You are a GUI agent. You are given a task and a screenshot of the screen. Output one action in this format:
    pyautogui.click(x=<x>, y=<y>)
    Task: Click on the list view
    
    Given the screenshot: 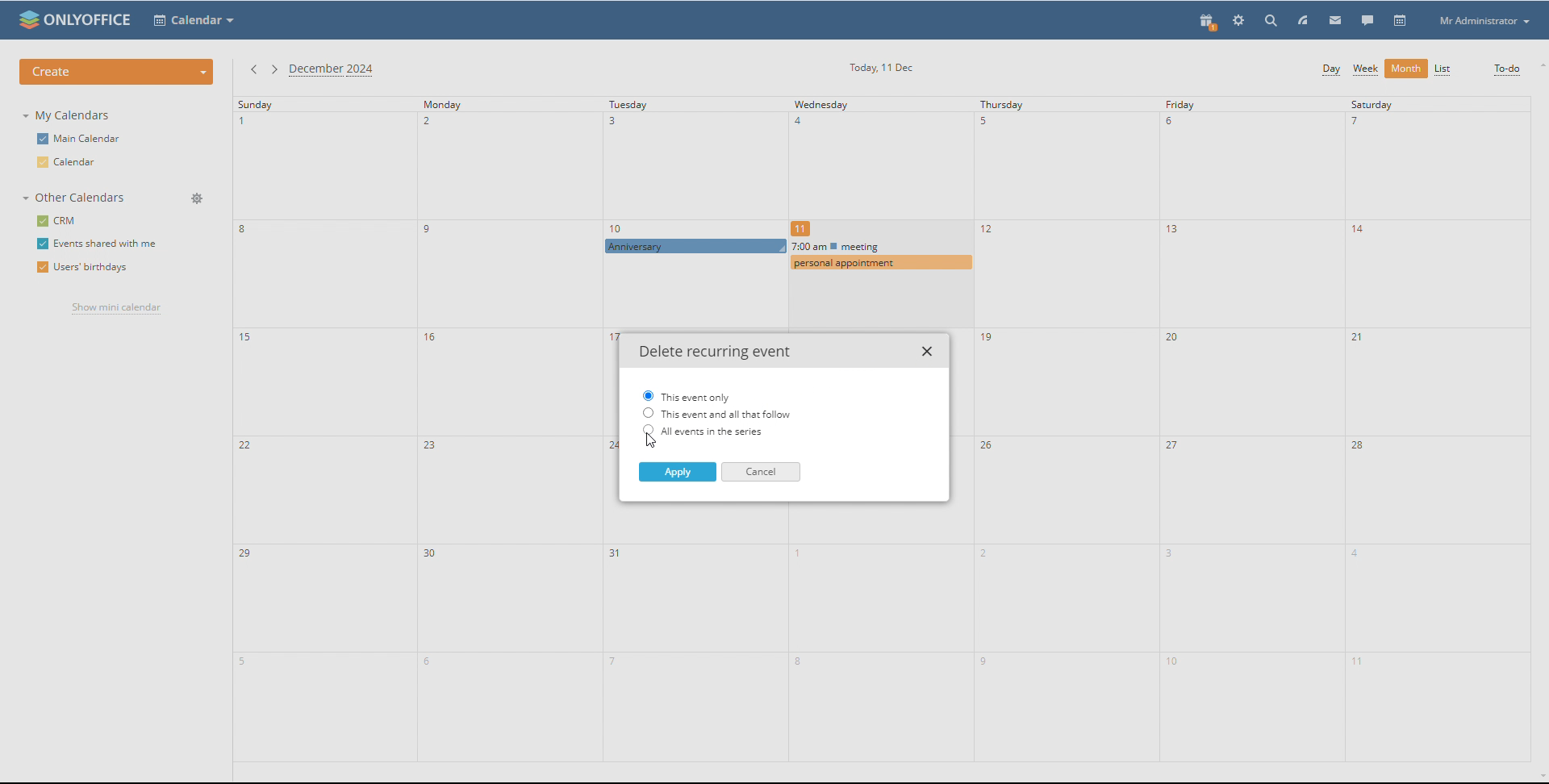 What is the action you would take?
    pyautogui.click(x=1443, y=69)
    